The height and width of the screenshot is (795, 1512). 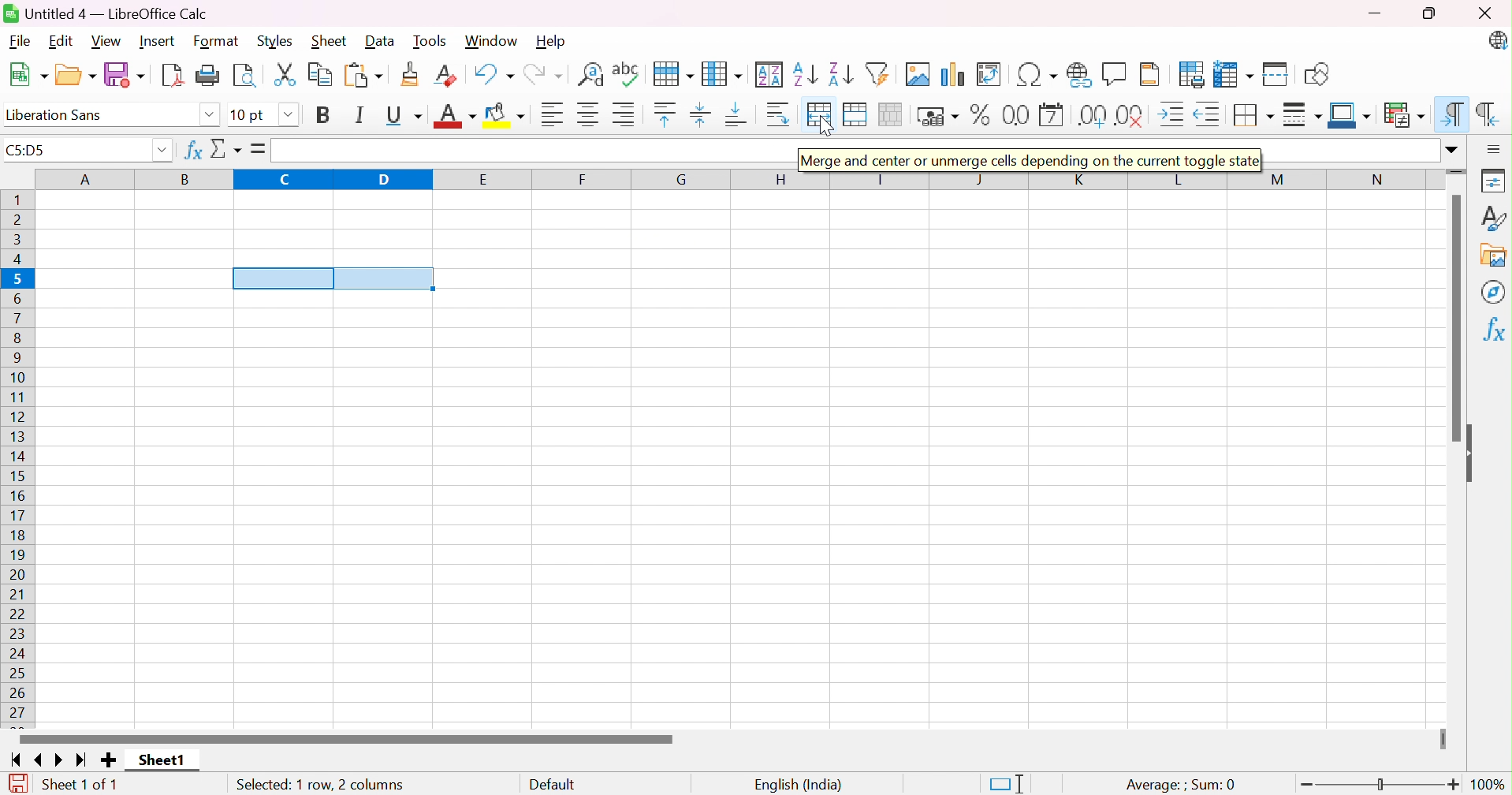 I want to click on Insert Image, so click(x=917, y=74).